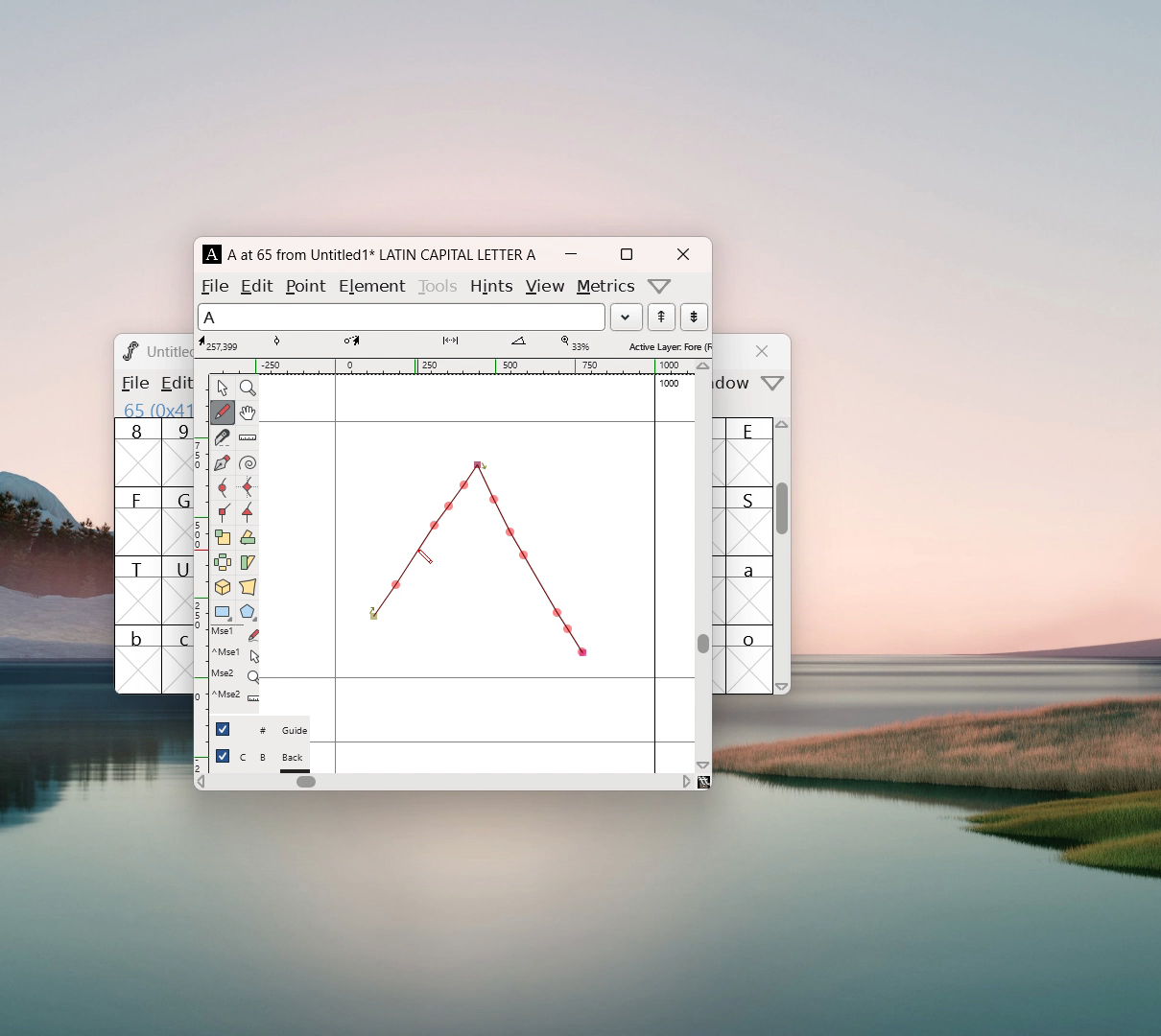  Describe the element at coordinates (249, 614) in the screenshot. I see `polygon or star` at that location.